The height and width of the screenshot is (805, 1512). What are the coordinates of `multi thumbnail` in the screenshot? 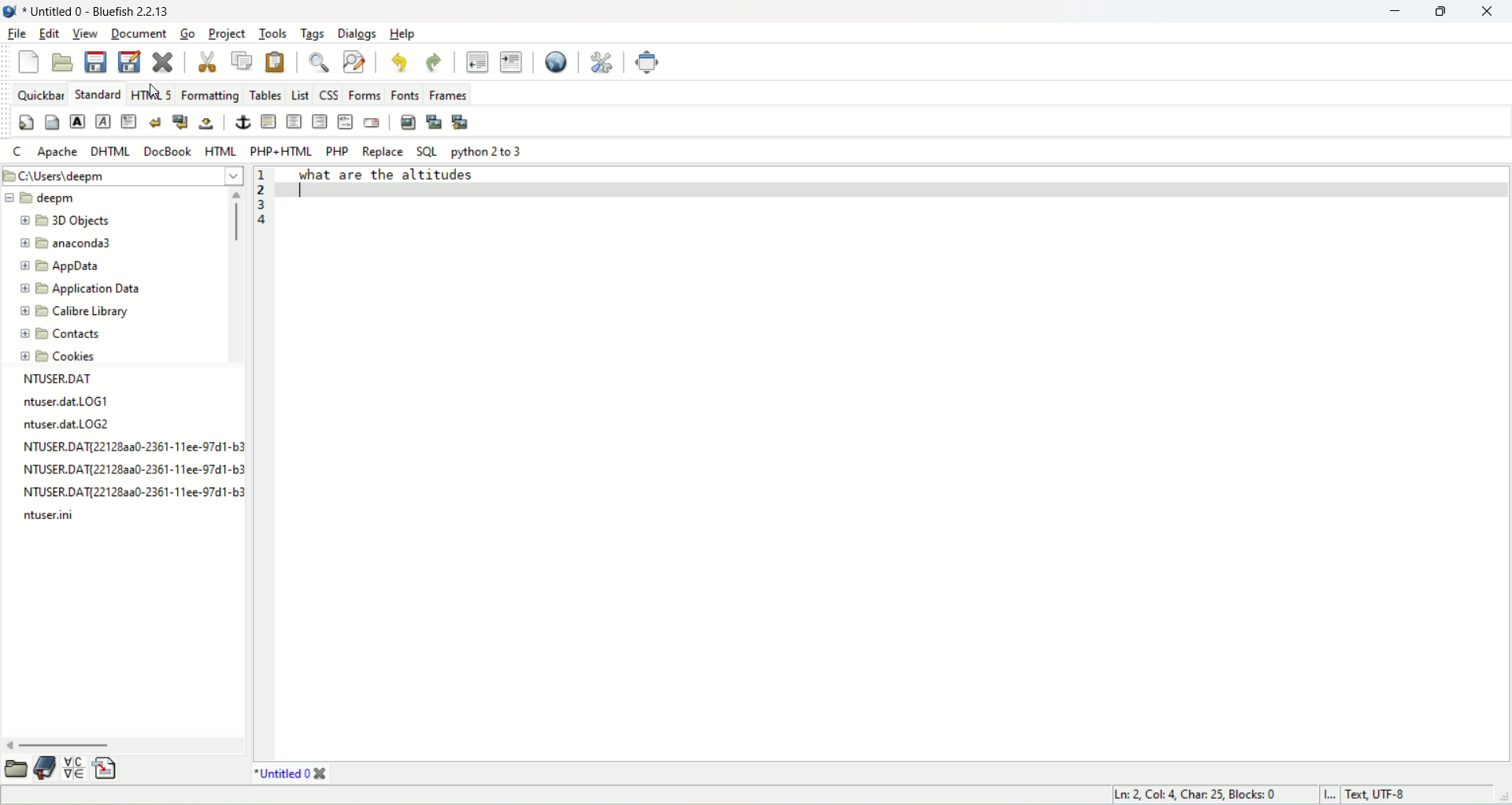 It's located at (461, 121).